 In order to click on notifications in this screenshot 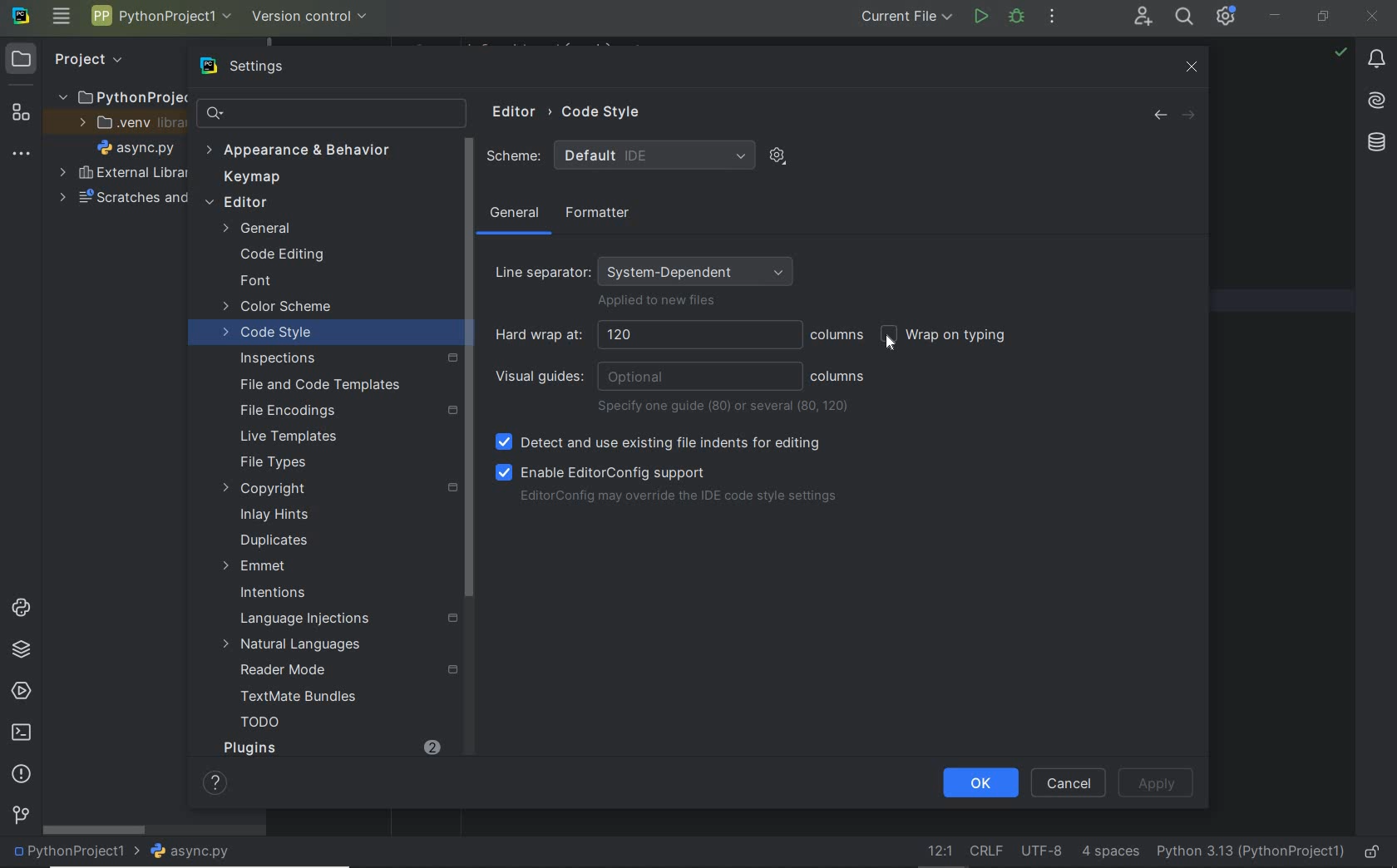, I will do `click(1378, 62)`.